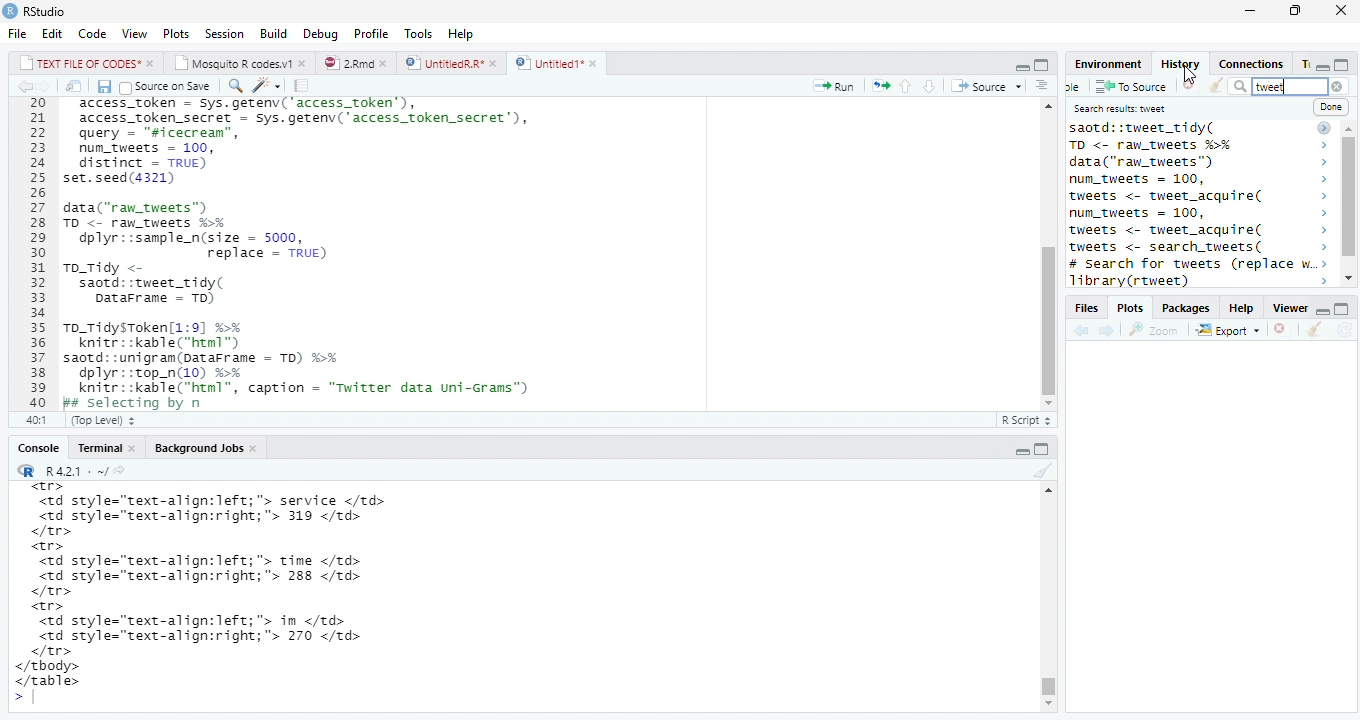  Describe the element at coordinates (357, 64) in the screenshot. I see `© 2”md` at that location.